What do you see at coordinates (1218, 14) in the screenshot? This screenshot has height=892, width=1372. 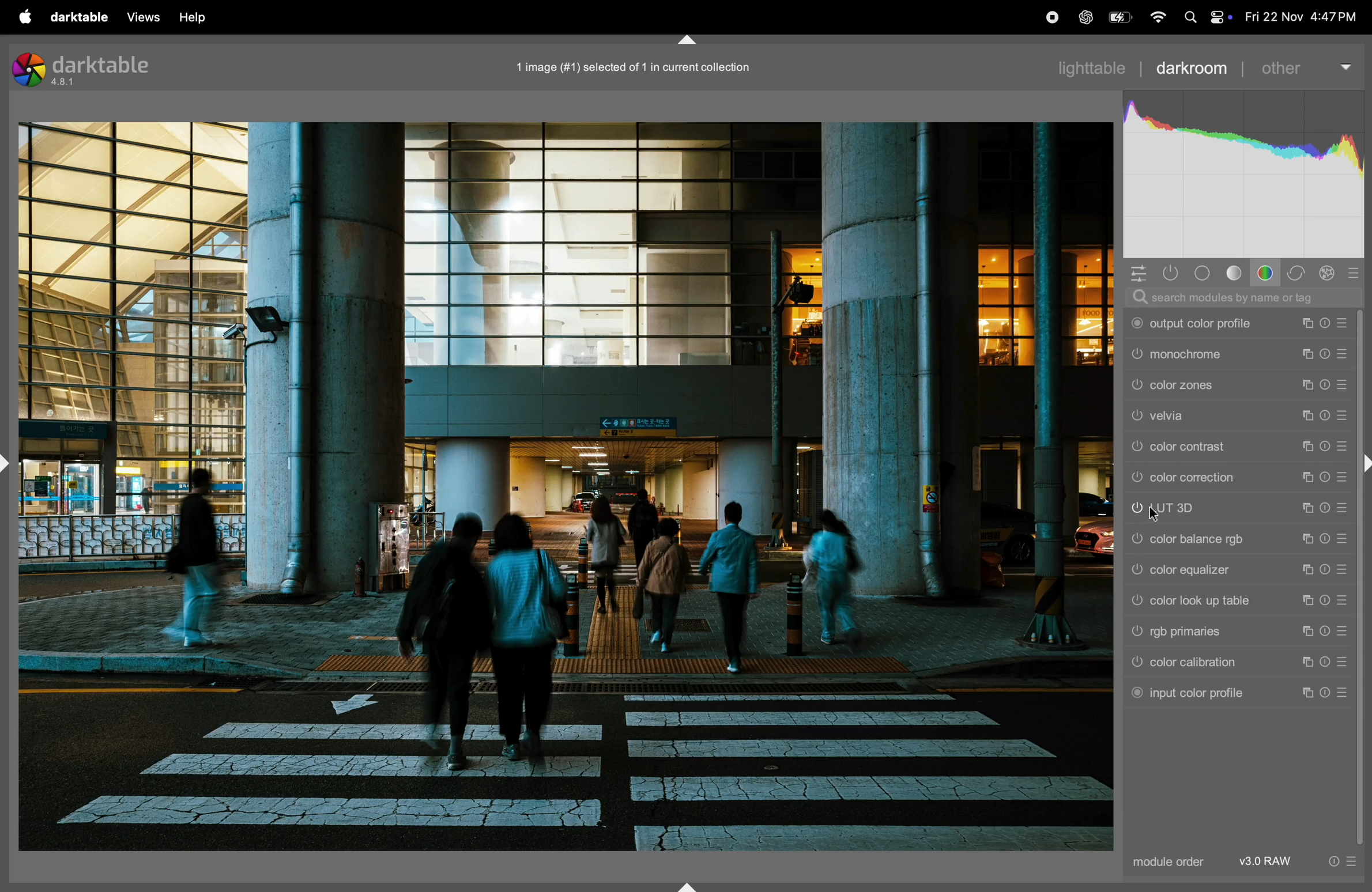 I see `apple widgets` at bounding box center [1218, 14].